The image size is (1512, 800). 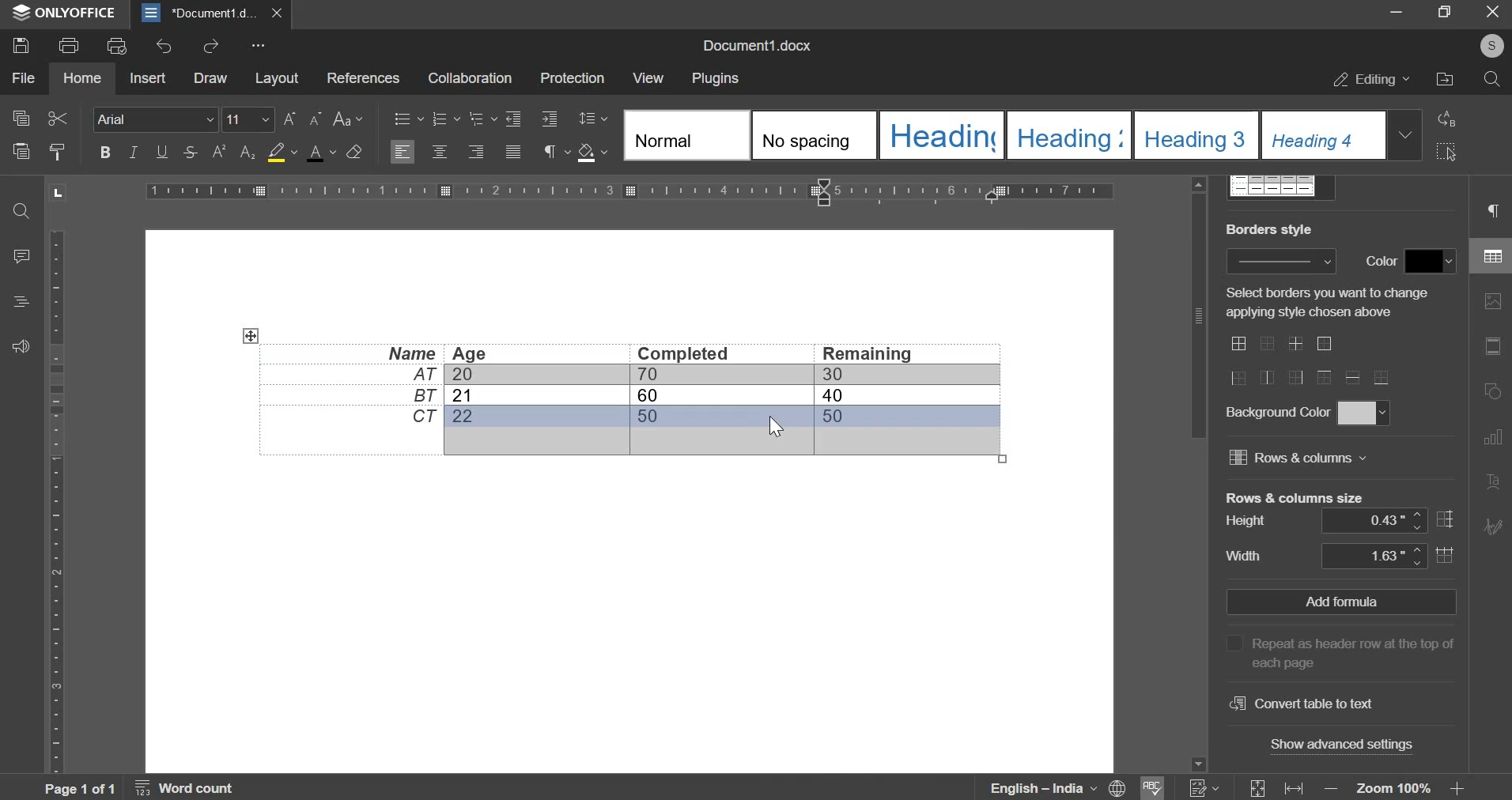 What do you see at coordinates (1298, 457) in the screenshot?
I see `rows and columns` at bounding box center [1298, 457].